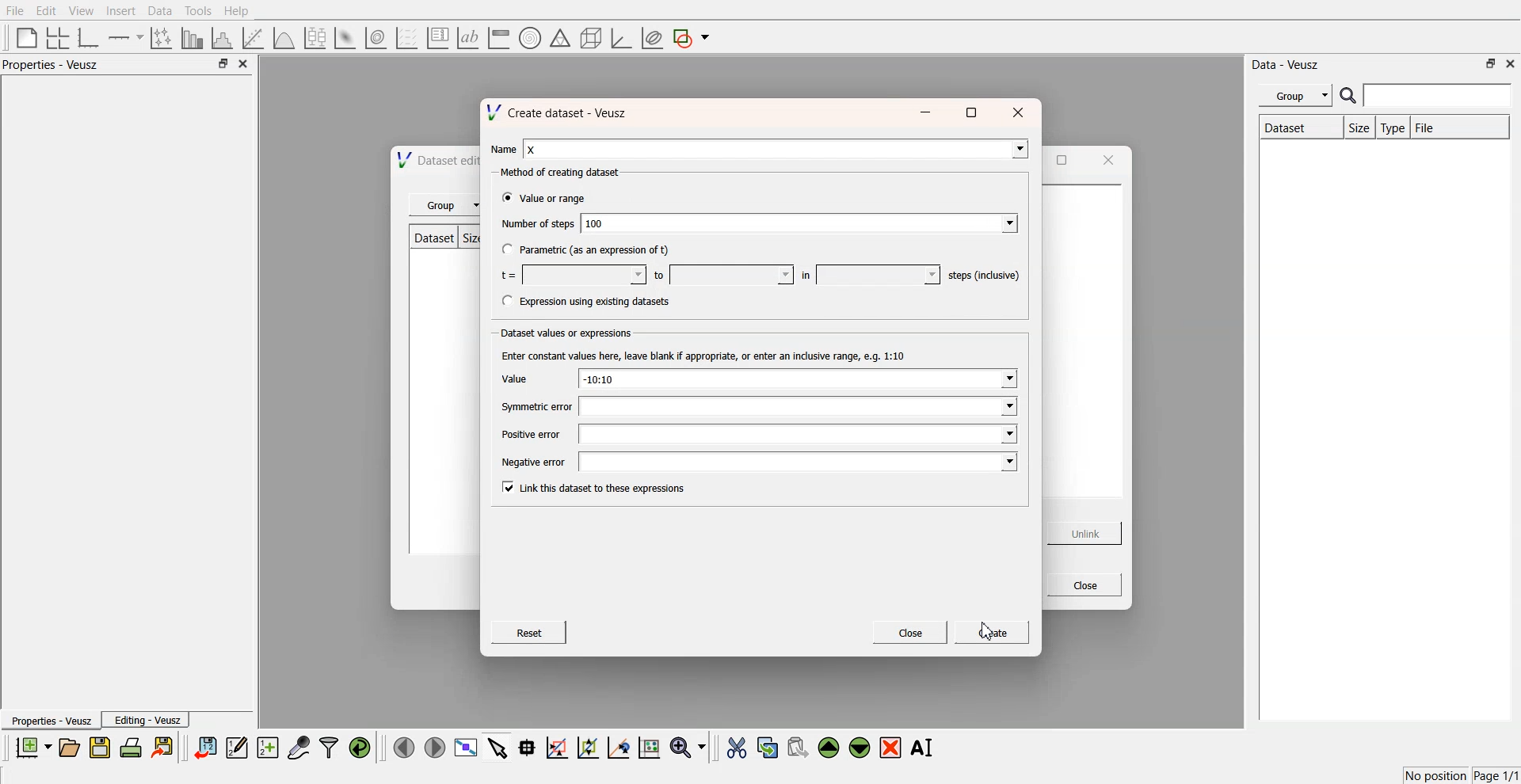  Describe the element at coordinates (223, 64) in the screenshot. I see `minimise or maximise` at that location.